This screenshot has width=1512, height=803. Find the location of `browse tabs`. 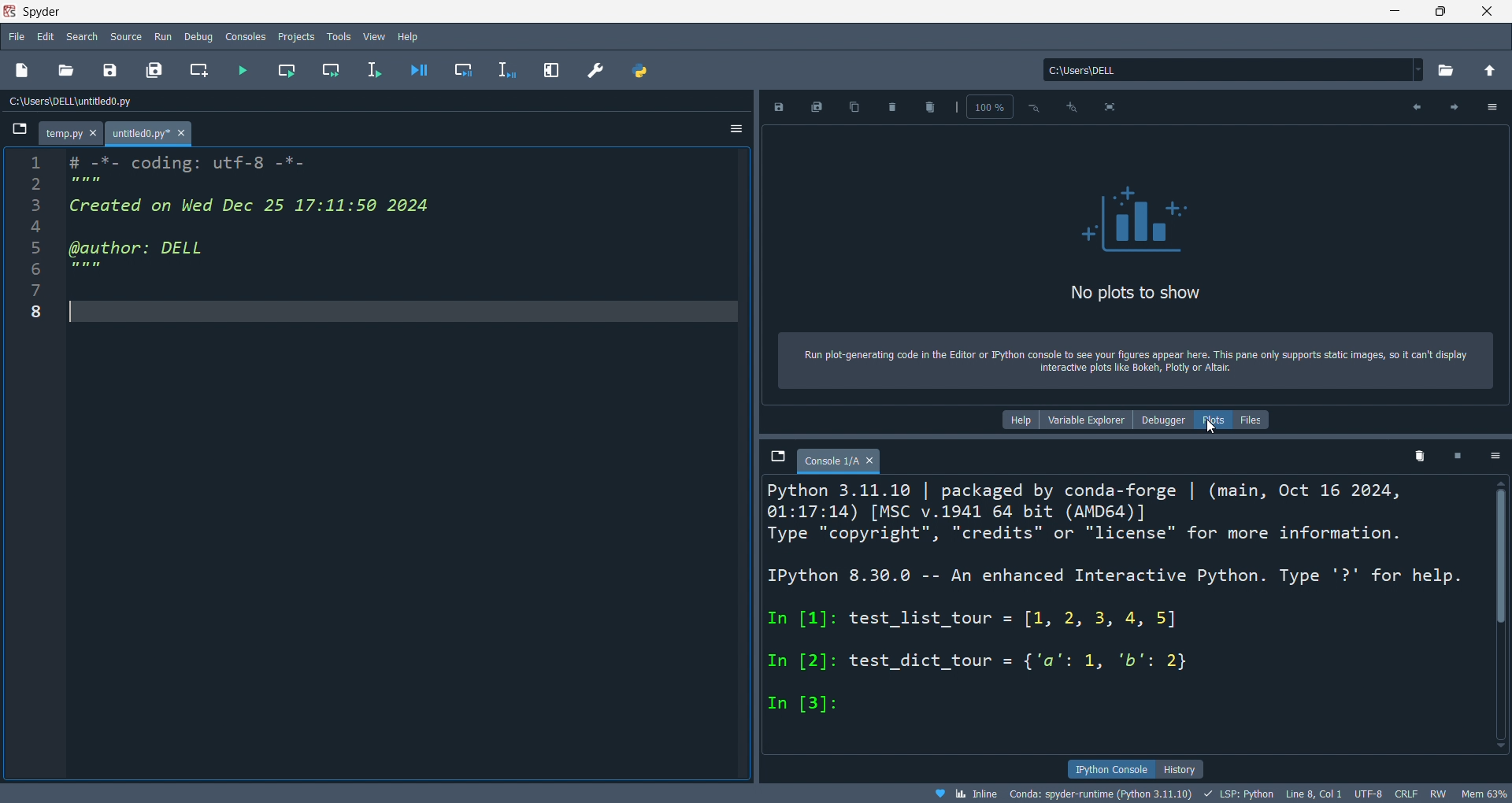

browse tabs is located at coordinates (778, 458).